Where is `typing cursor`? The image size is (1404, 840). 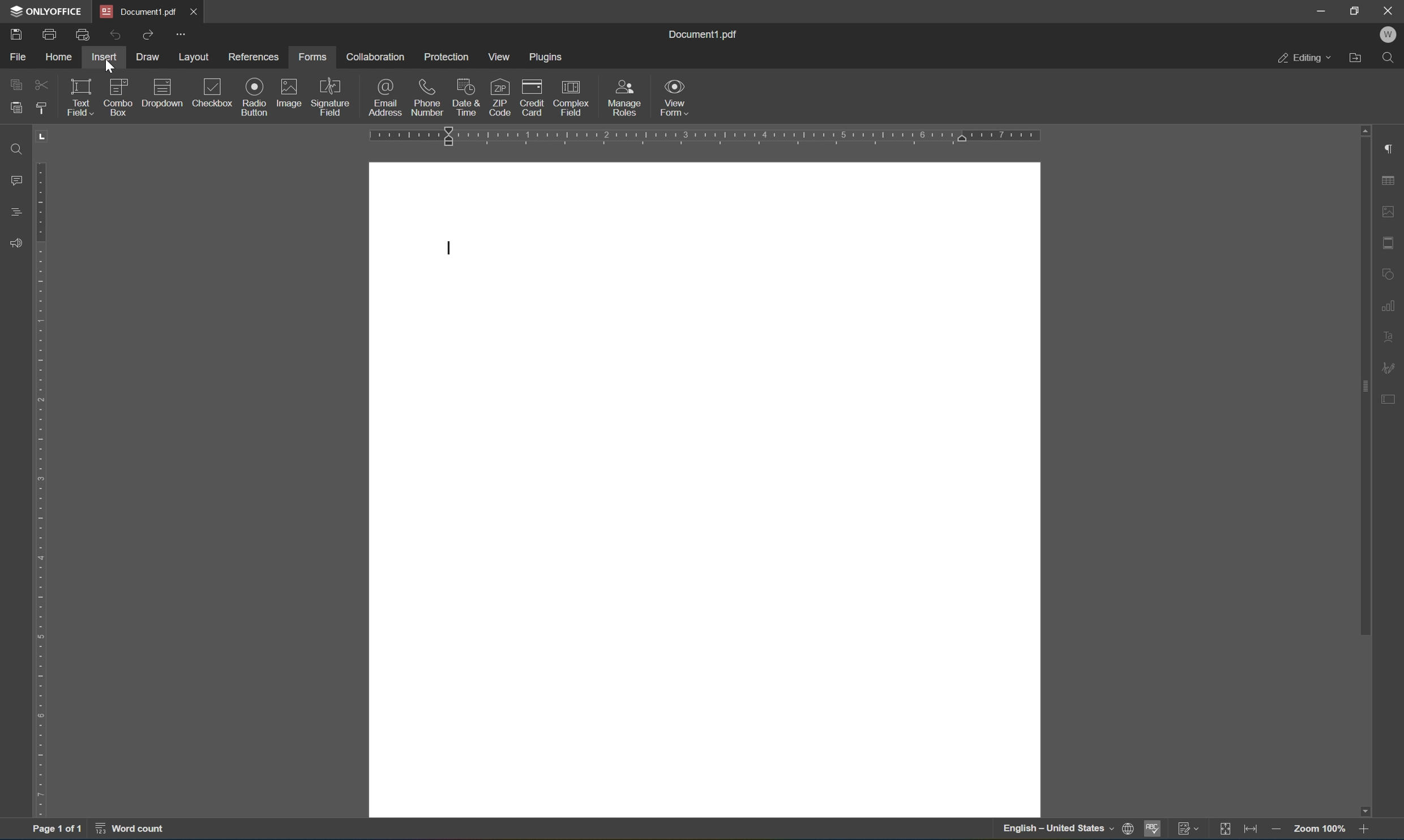
typing cursor is located at coordinates (448, 250).